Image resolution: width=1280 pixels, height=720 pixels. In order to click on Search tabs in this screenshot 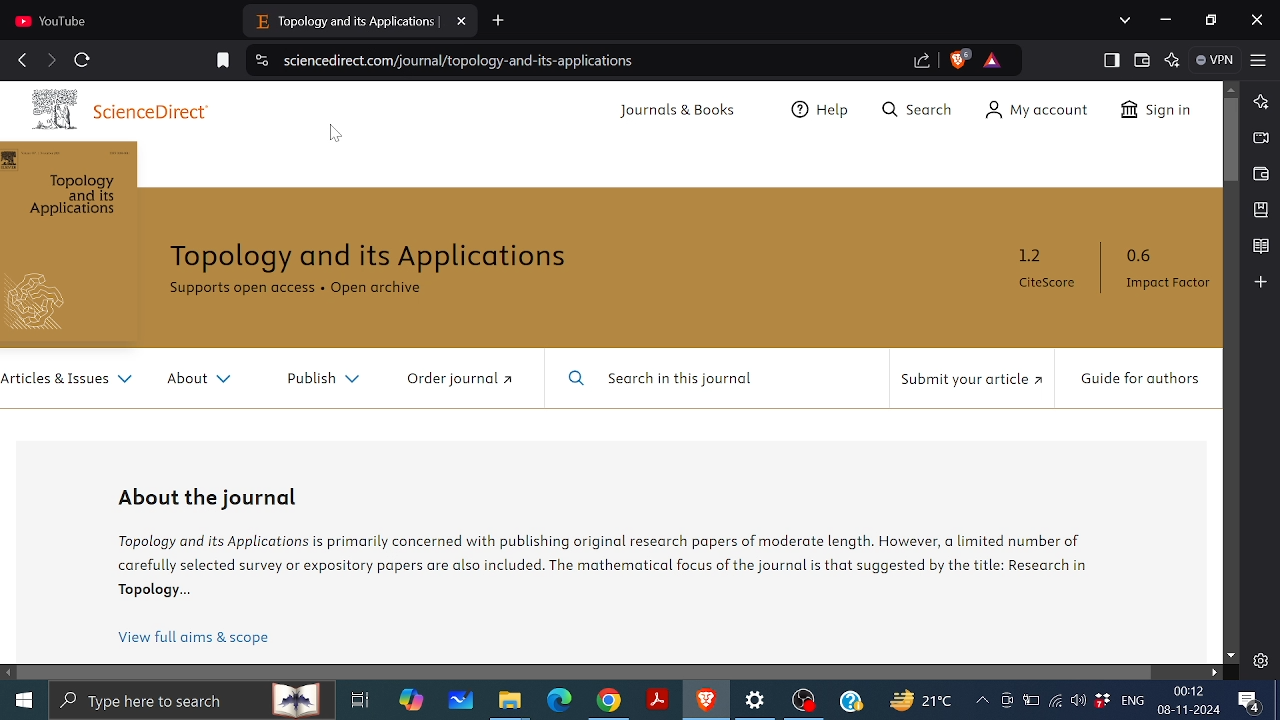, I will do `click(1127, 20)`.